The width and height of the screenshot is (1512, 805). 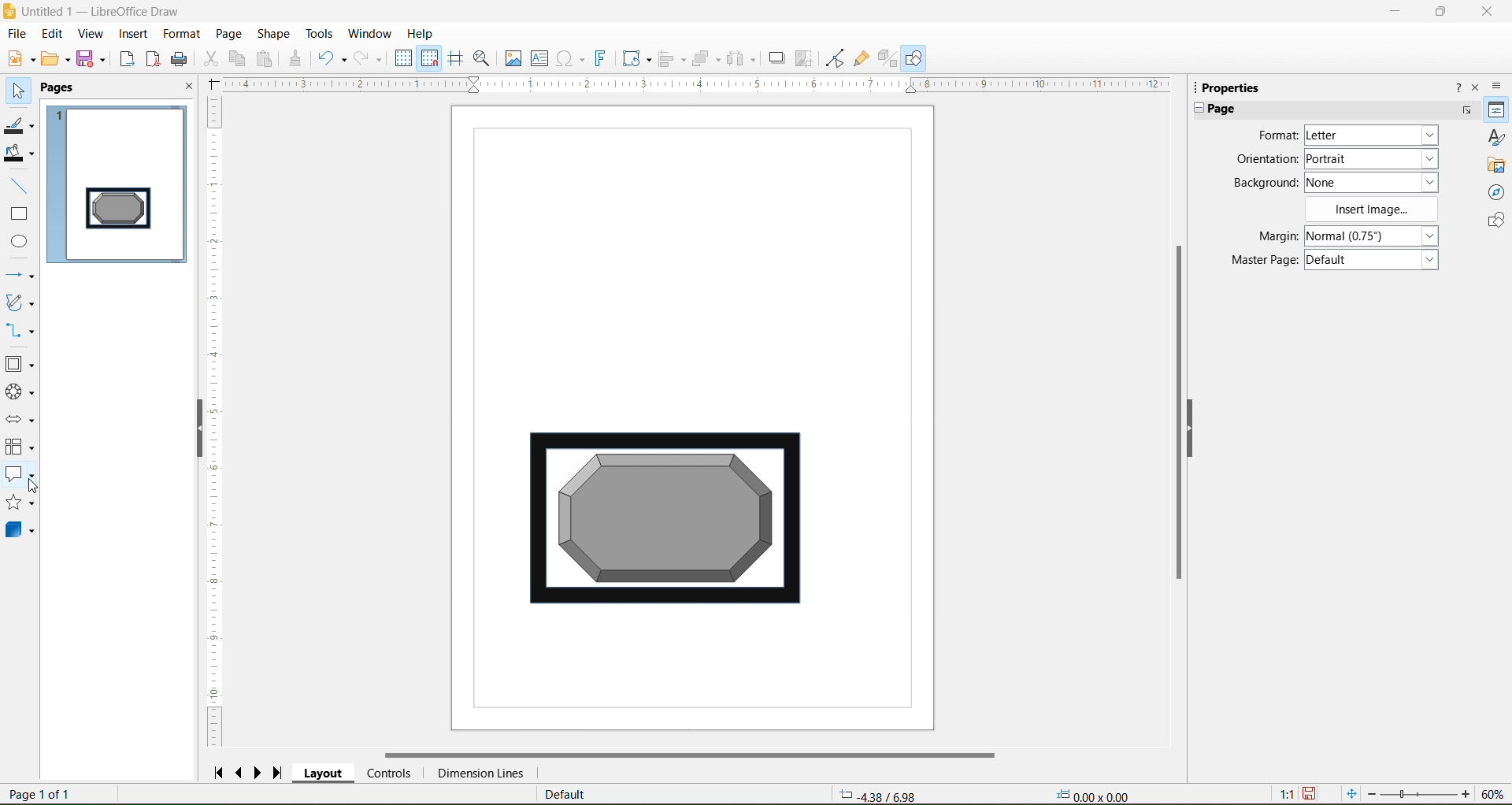 I want to click on Toggle Extrusion, so click(x=888, y=58).